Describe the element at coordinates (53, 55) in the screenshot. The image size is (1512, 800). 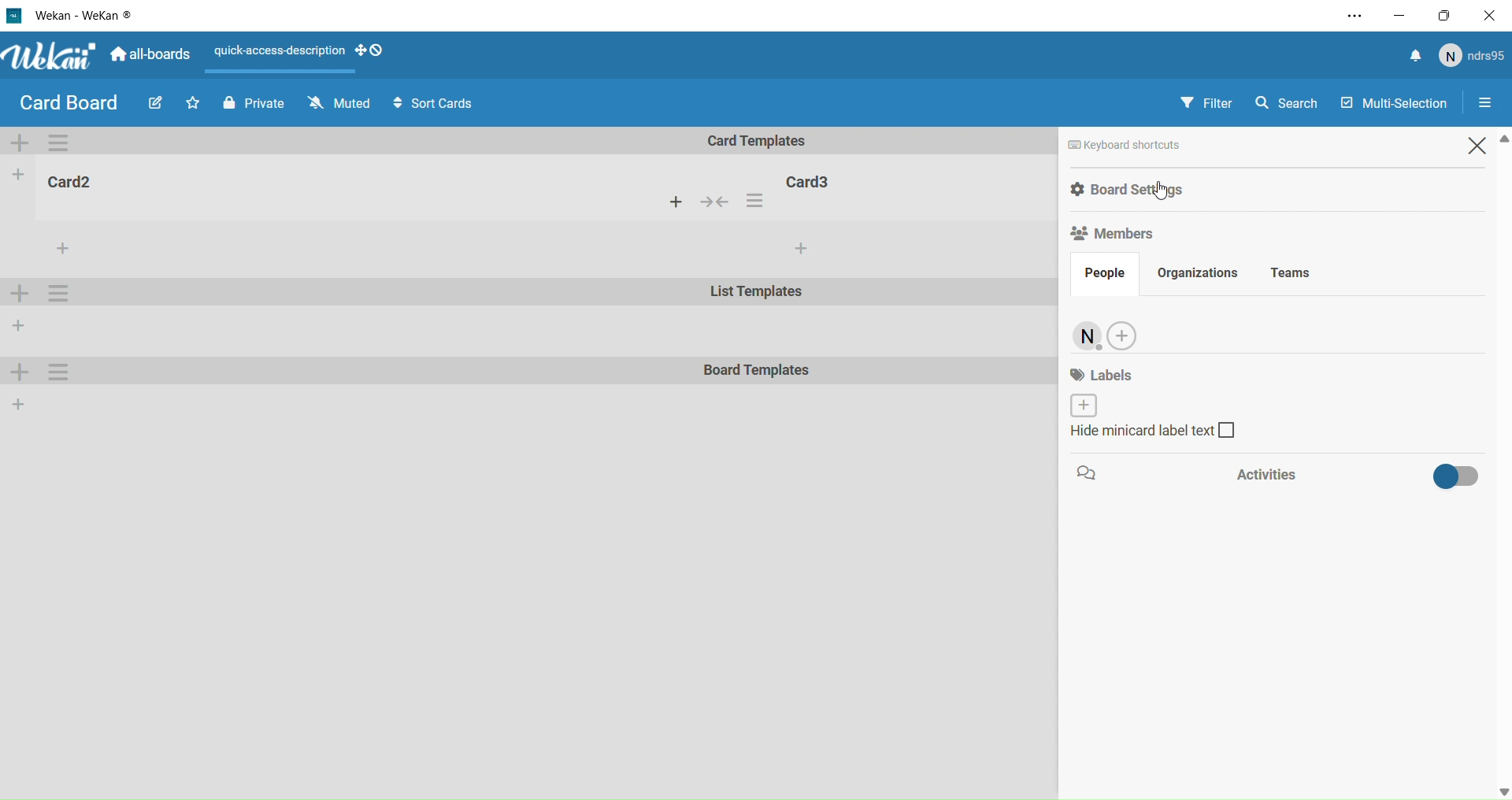
I see `` at that location.